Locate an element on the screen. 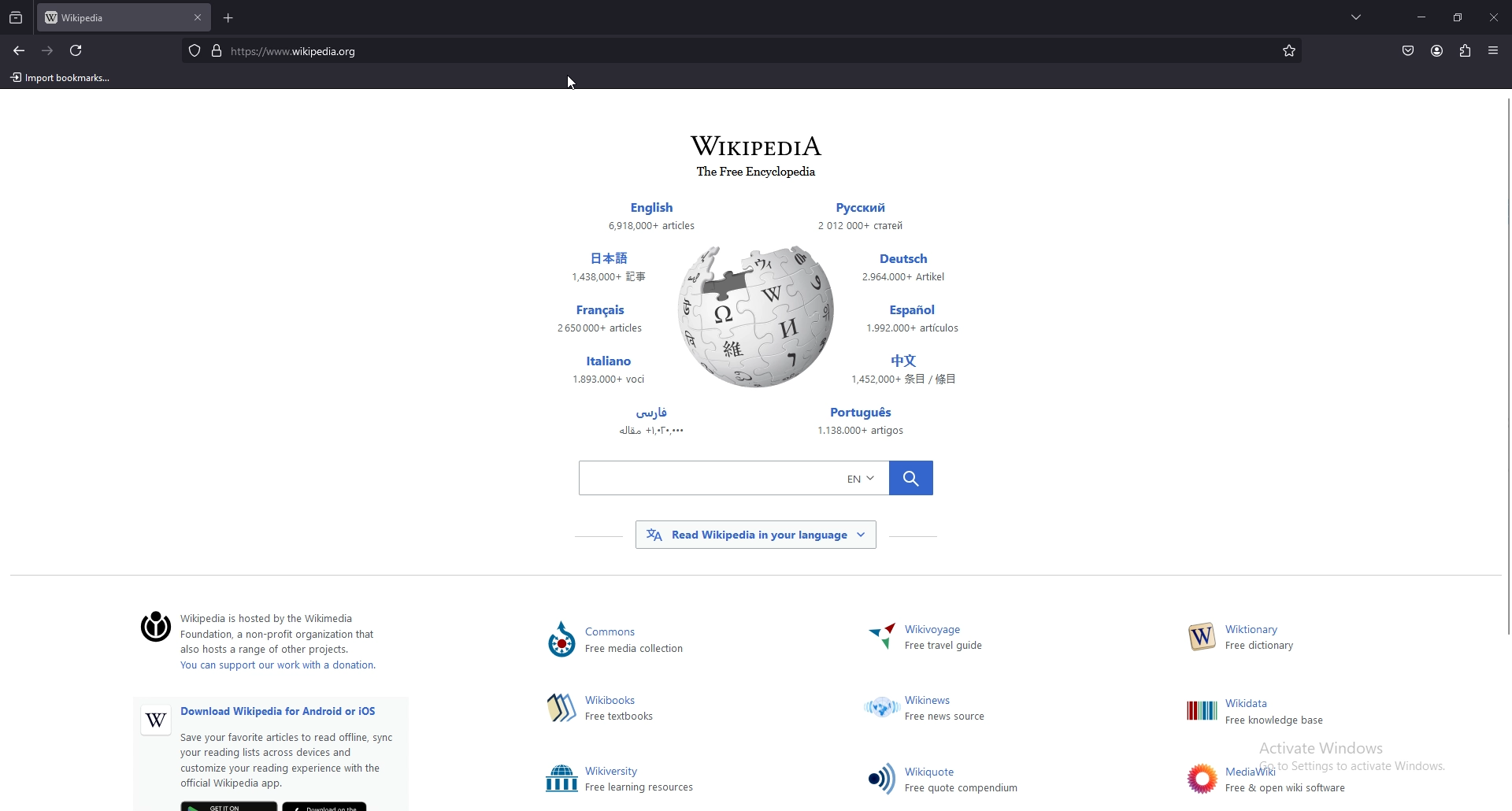 The image size is (1512, 811). profile is located at coordinates (1437, 51).